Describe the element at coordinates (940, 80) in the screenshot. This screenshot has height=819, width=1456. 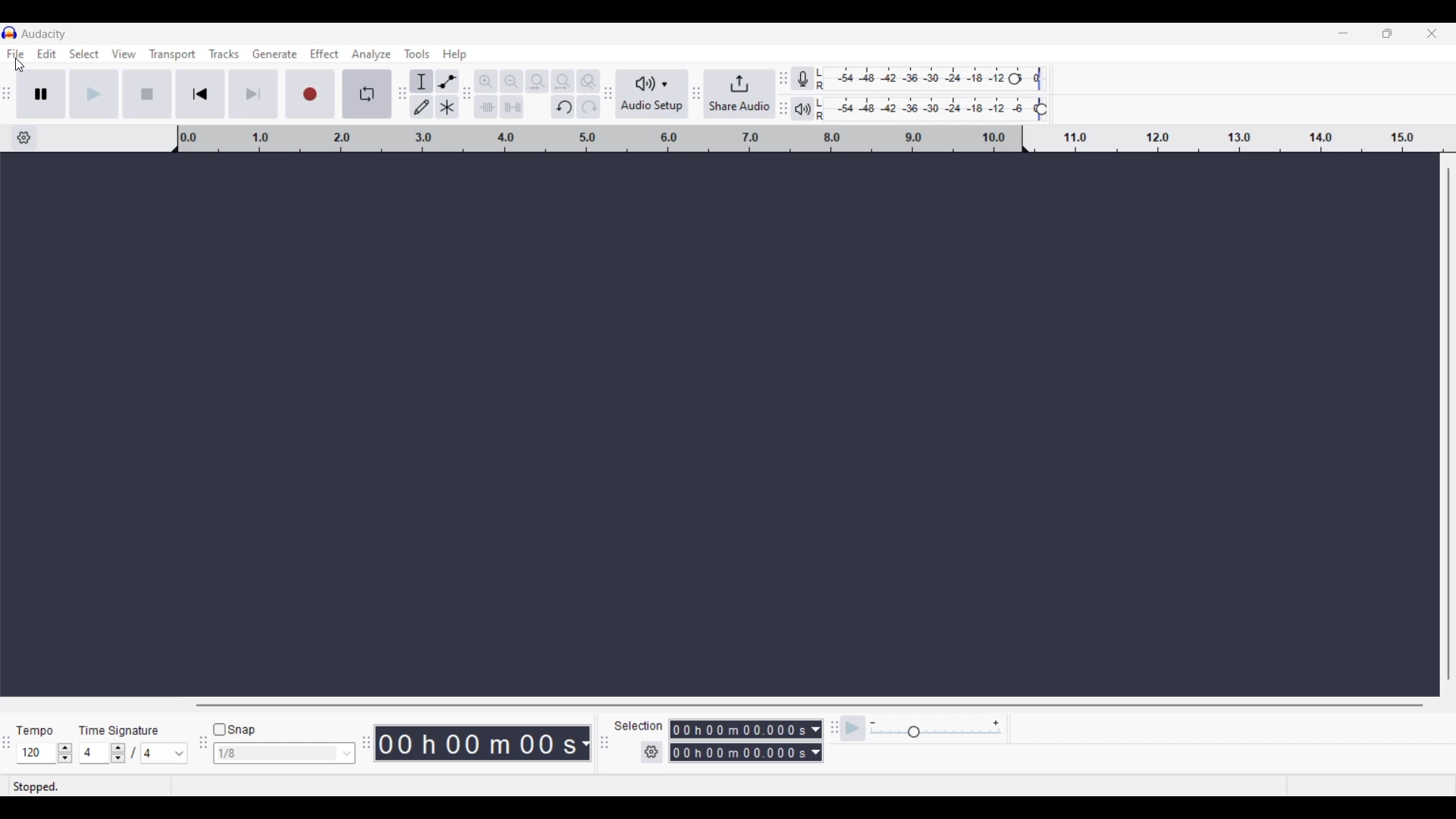
I see `Recording level` at that location.